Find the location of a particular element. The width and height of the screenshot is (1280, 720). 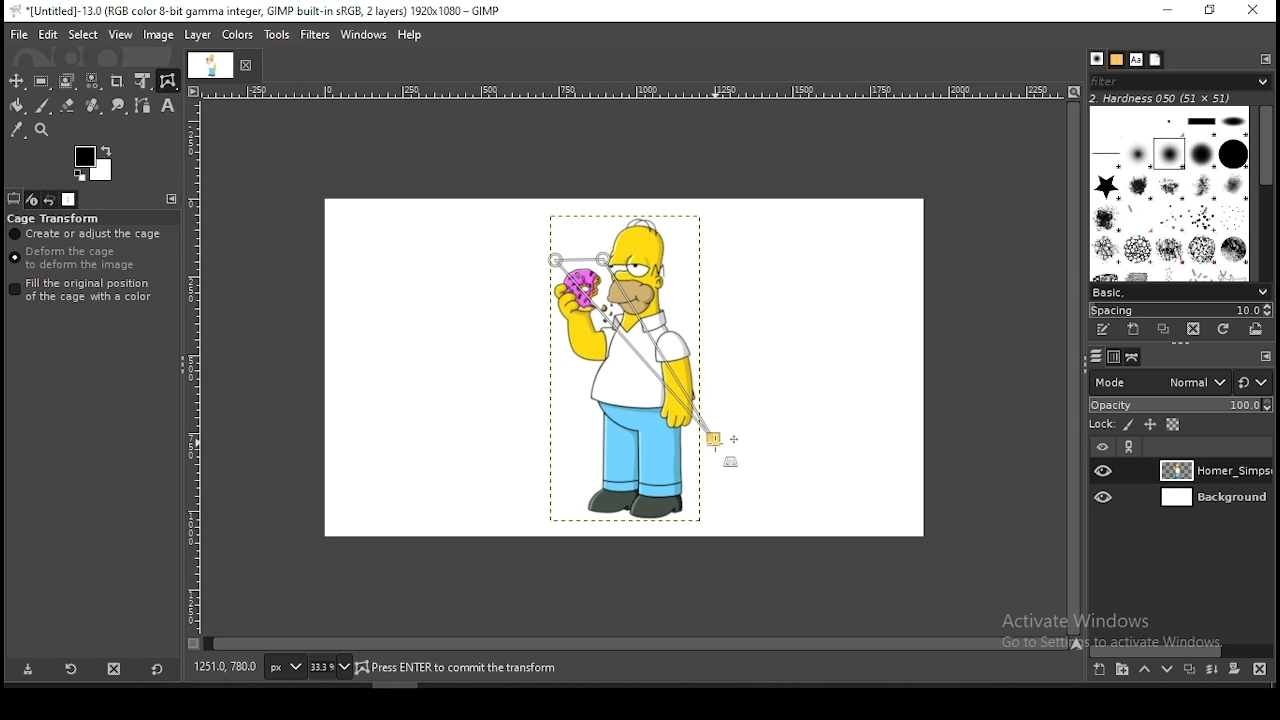

duplicate layer is located at coordinates (1189, 672).